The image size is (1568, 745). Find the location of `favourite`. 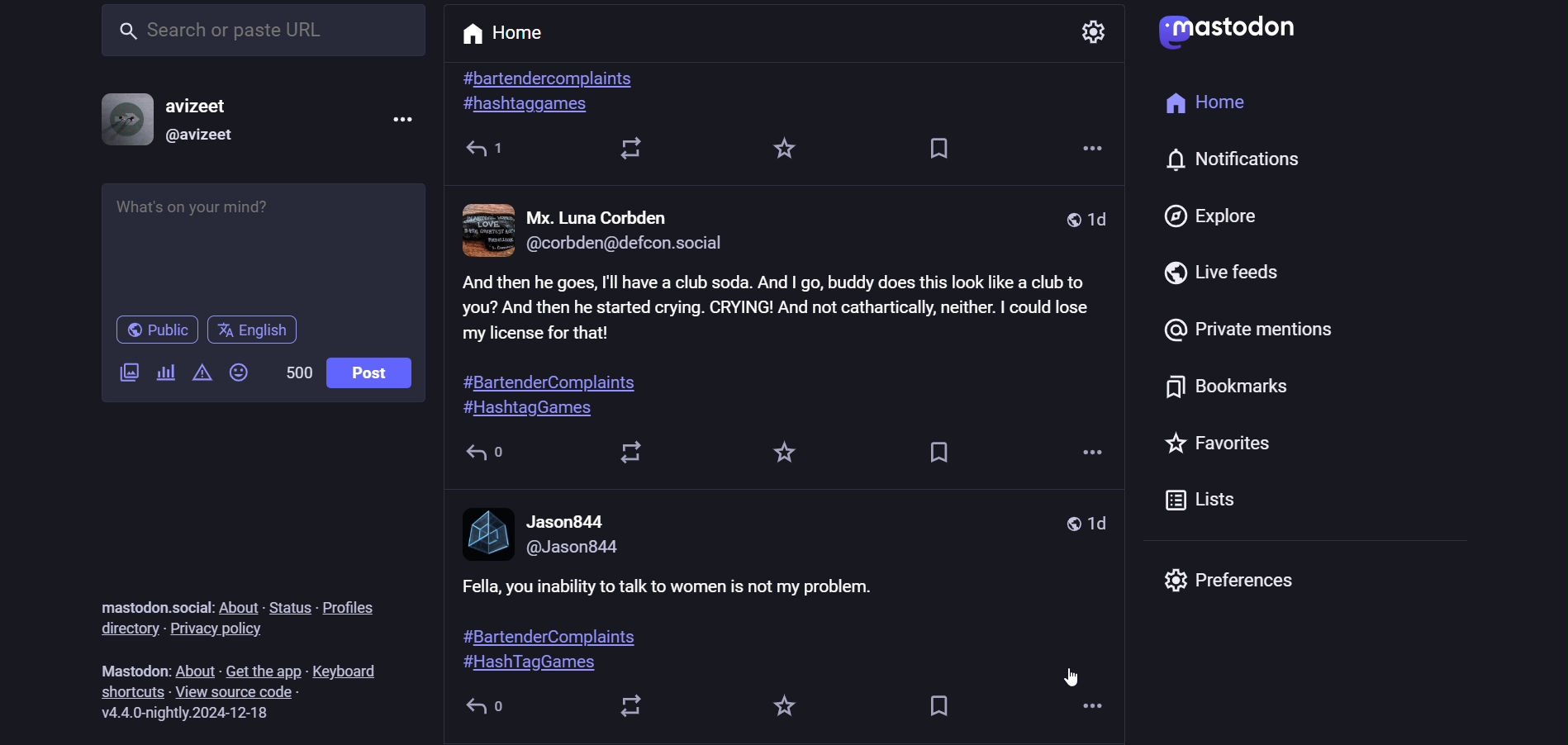

favourite is located at coordinates (789, 710).